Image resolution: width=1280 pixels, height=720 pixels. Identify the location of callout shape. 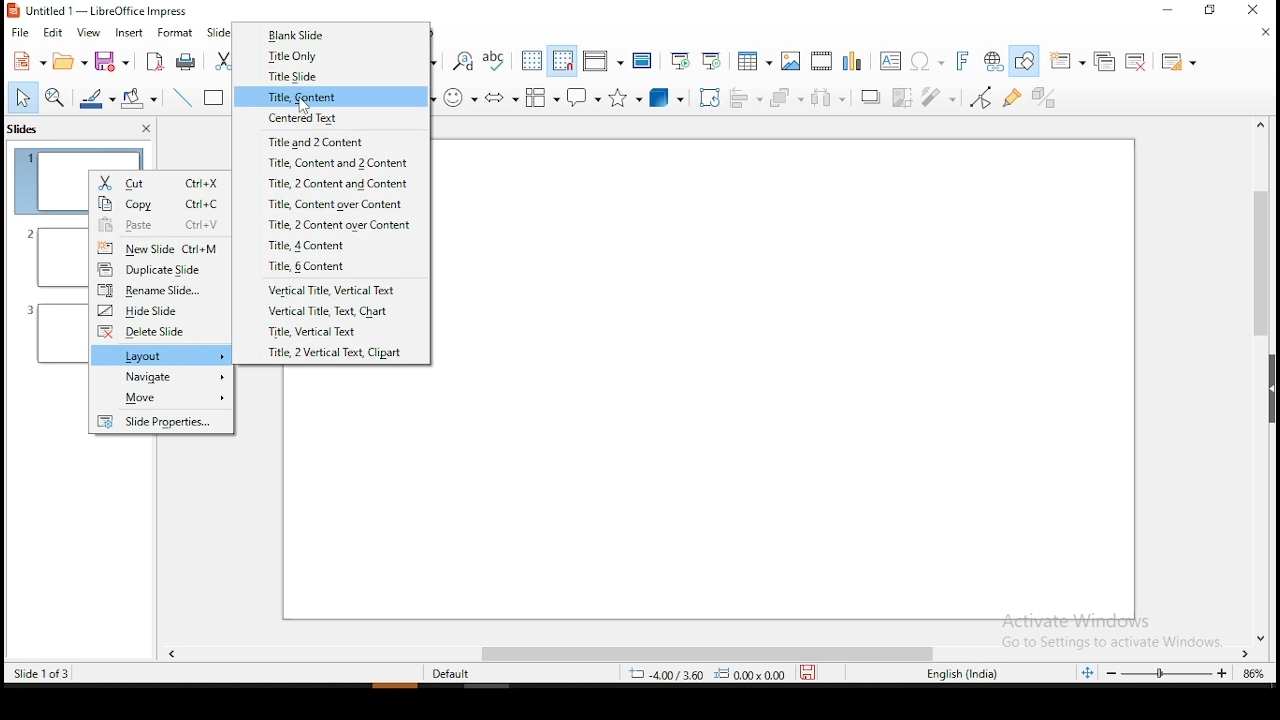
(586, 98).